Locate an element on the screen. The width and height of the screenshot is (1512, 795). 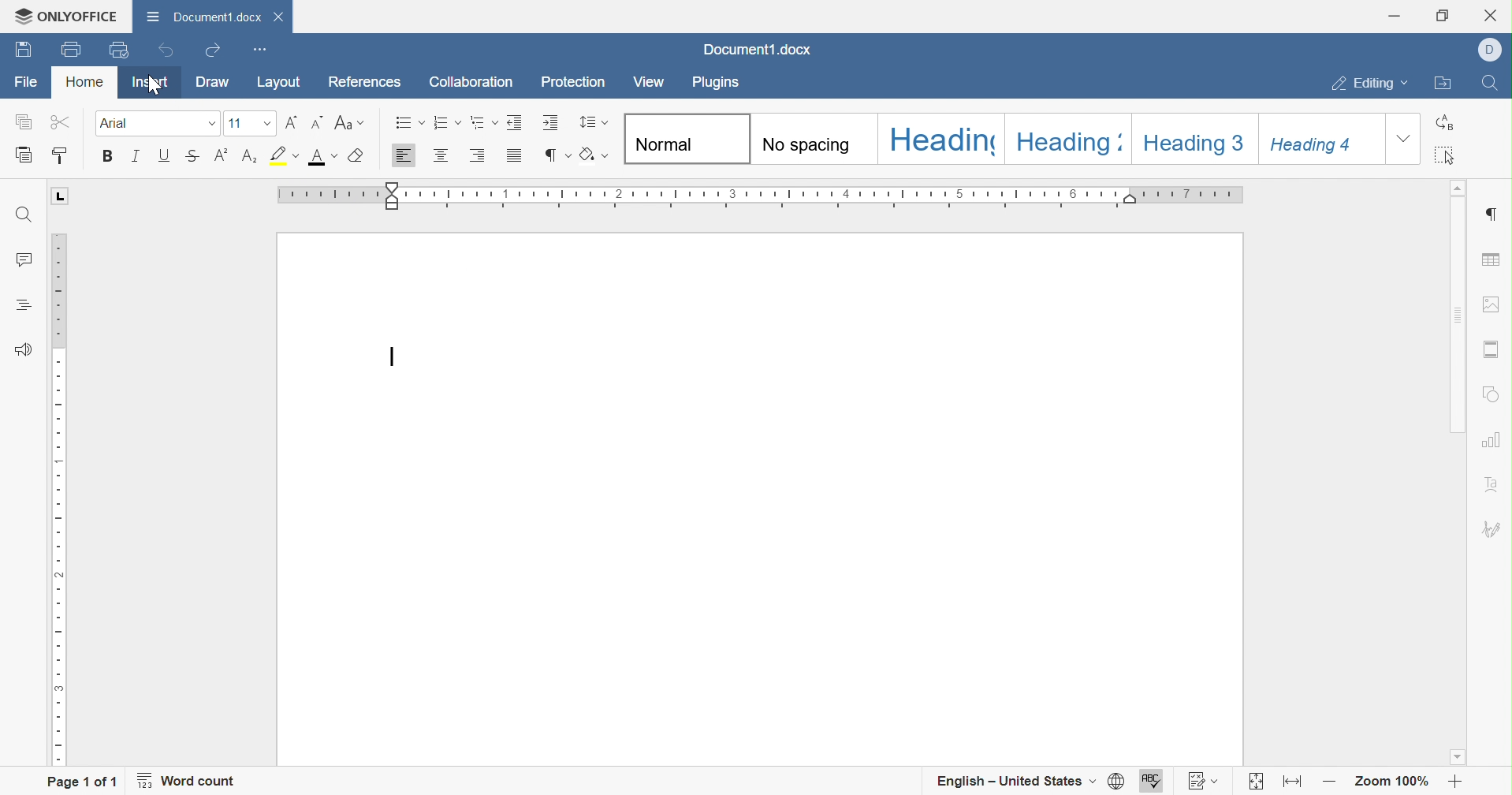
Clear style is located at coordinates (354, 156).